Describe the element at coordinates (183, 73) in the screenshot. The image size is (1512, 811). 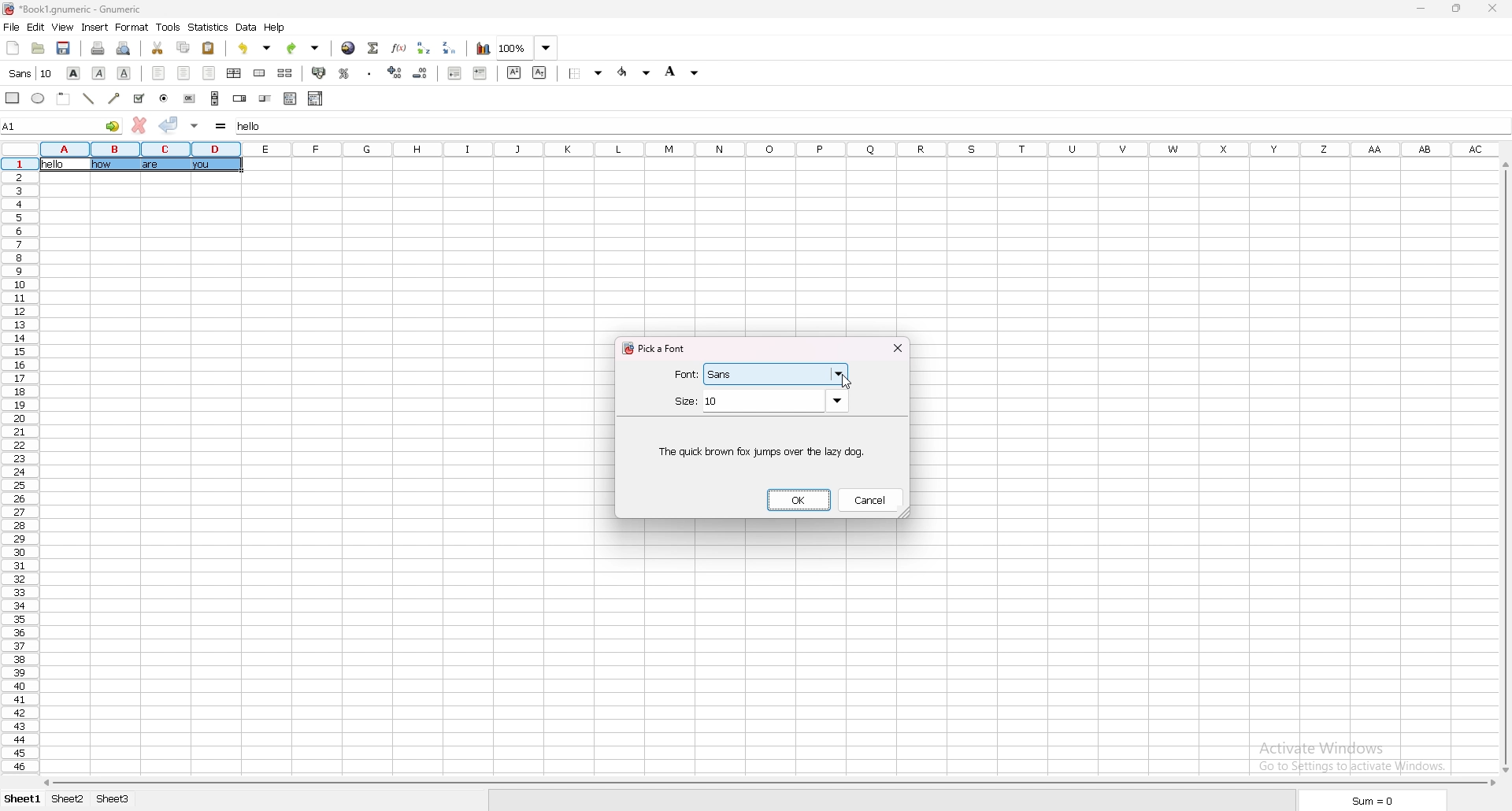
I see `centre` at that location.